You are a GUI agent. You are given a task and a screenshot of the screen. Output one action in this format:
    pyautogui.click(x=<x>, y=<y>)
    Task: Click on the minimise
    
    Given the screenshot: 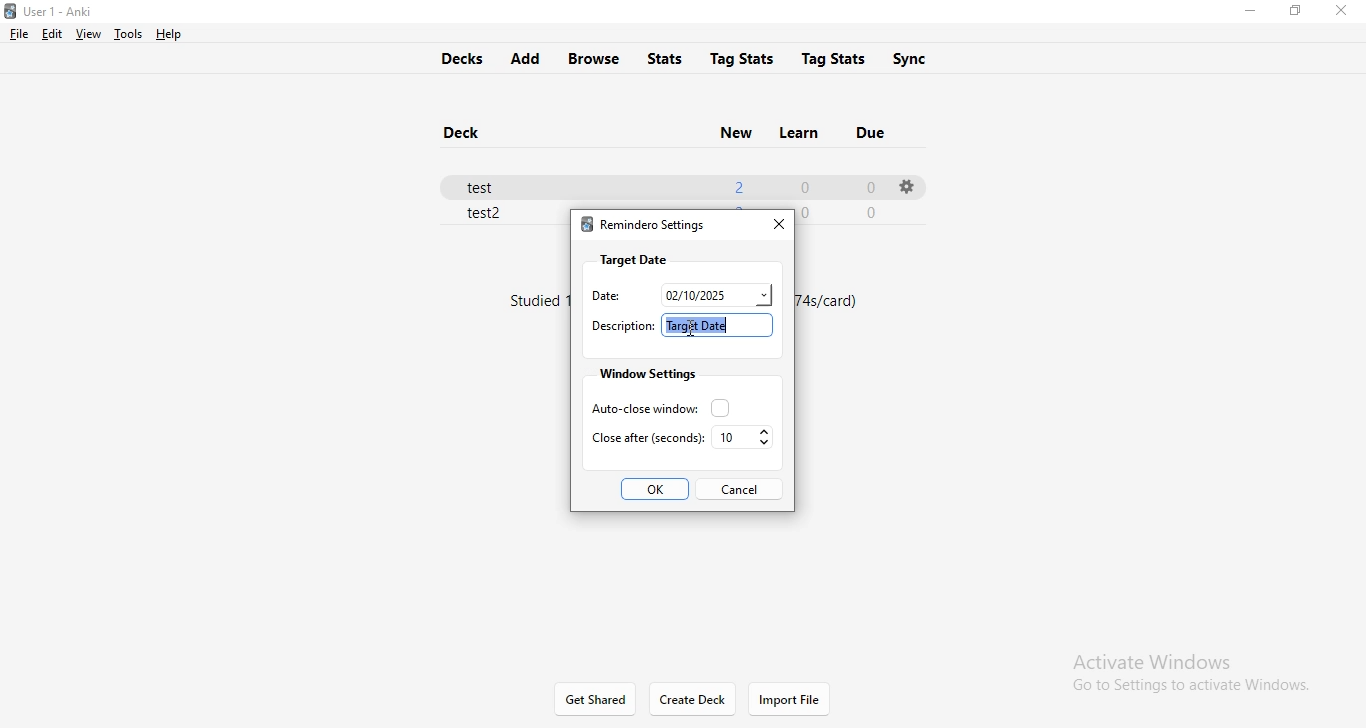 What is the action you would take?
    pyautogui.click(x=1249, y=13)
    